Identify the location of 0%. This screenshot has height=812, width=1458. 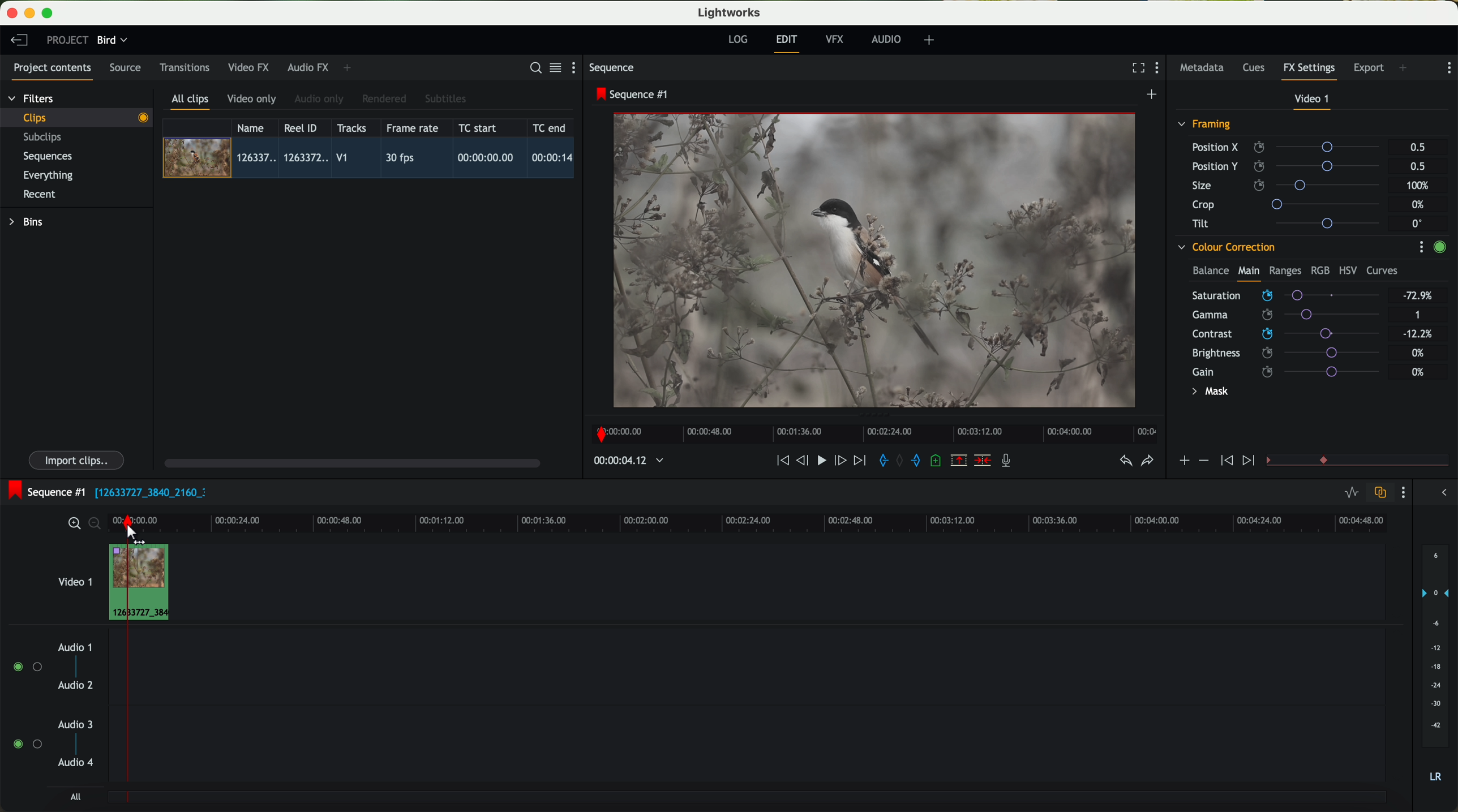
(1418, 351).